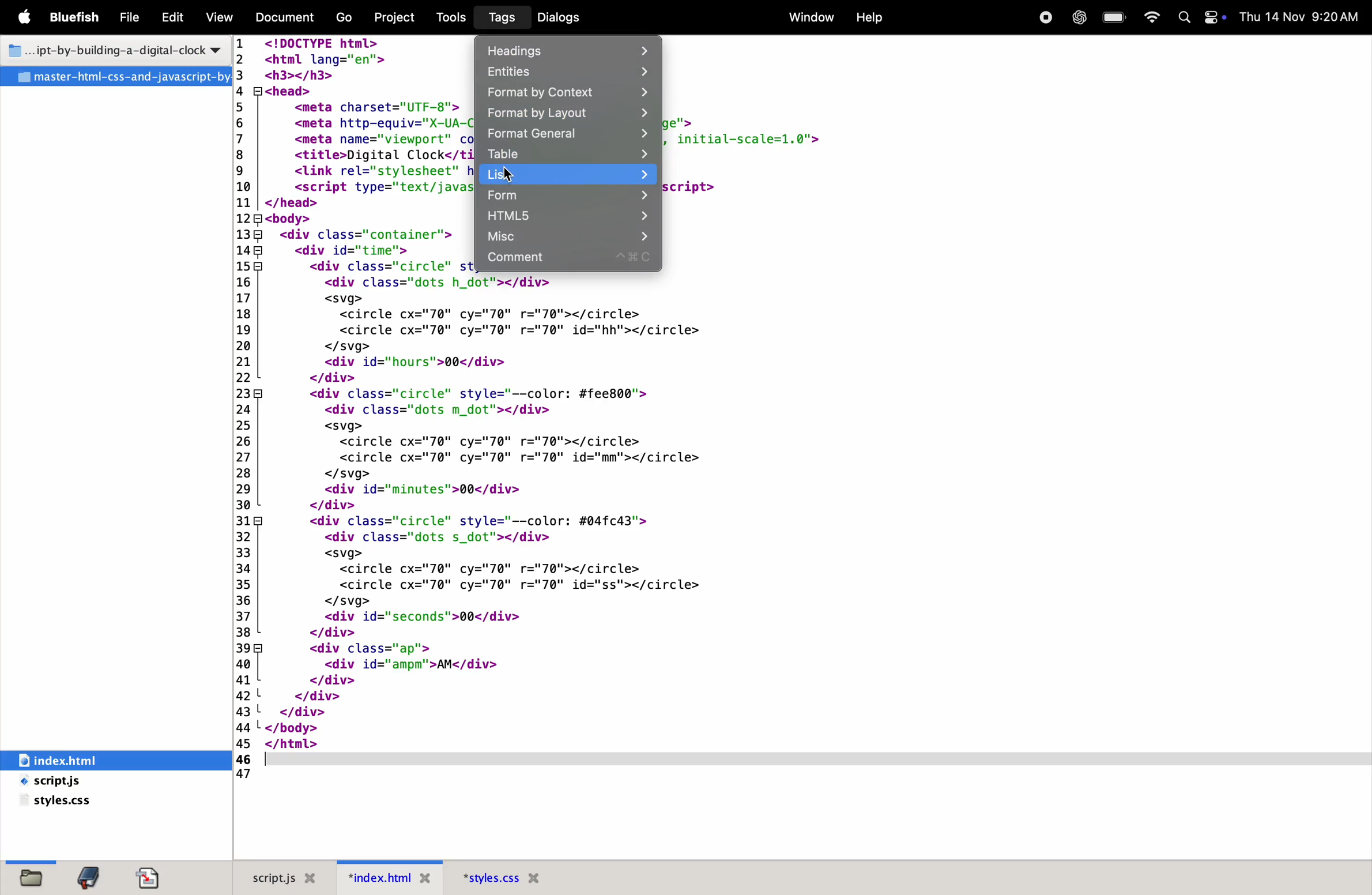  Describe the element at coordinates (809, 16) in the screenshot. I see `window` at that location.